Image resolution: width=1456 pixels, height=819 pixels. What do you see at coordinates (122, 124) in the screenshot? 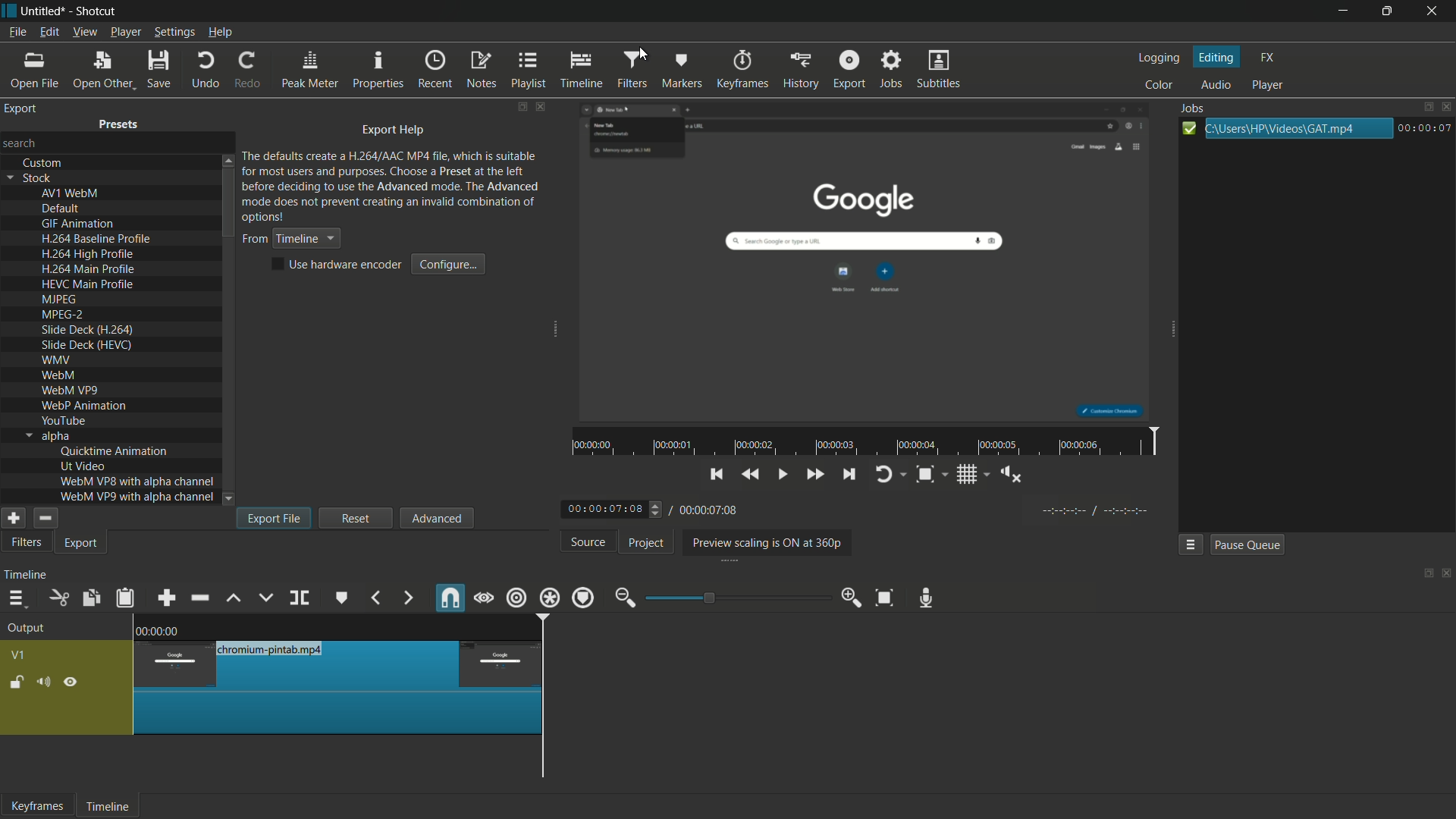
I see `new folder` at bounding box center [122, 124].